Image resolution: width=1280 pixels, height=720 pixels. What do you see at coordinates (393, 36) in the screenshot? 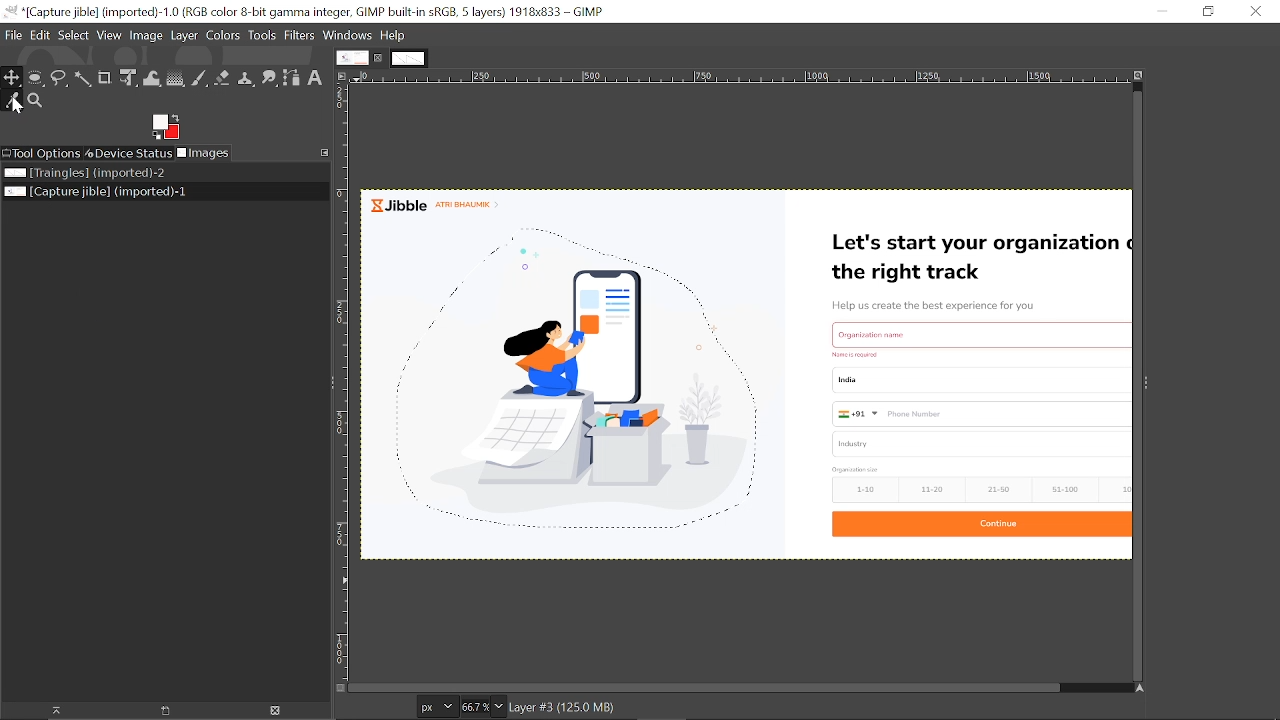
I see `Help` at bounding box center [393, 36].